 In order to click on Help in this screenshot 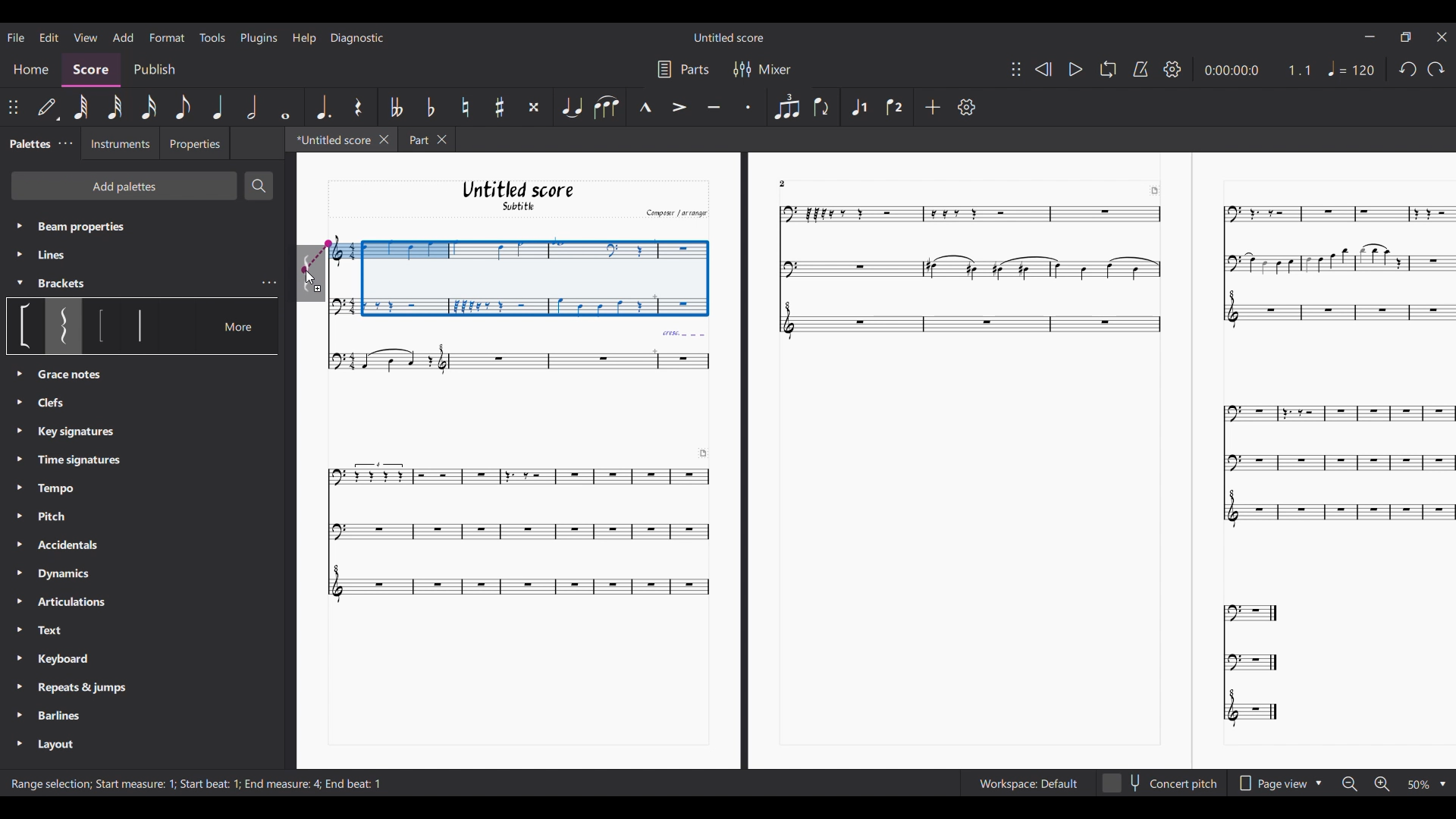, I will do `click(303, 39)`.